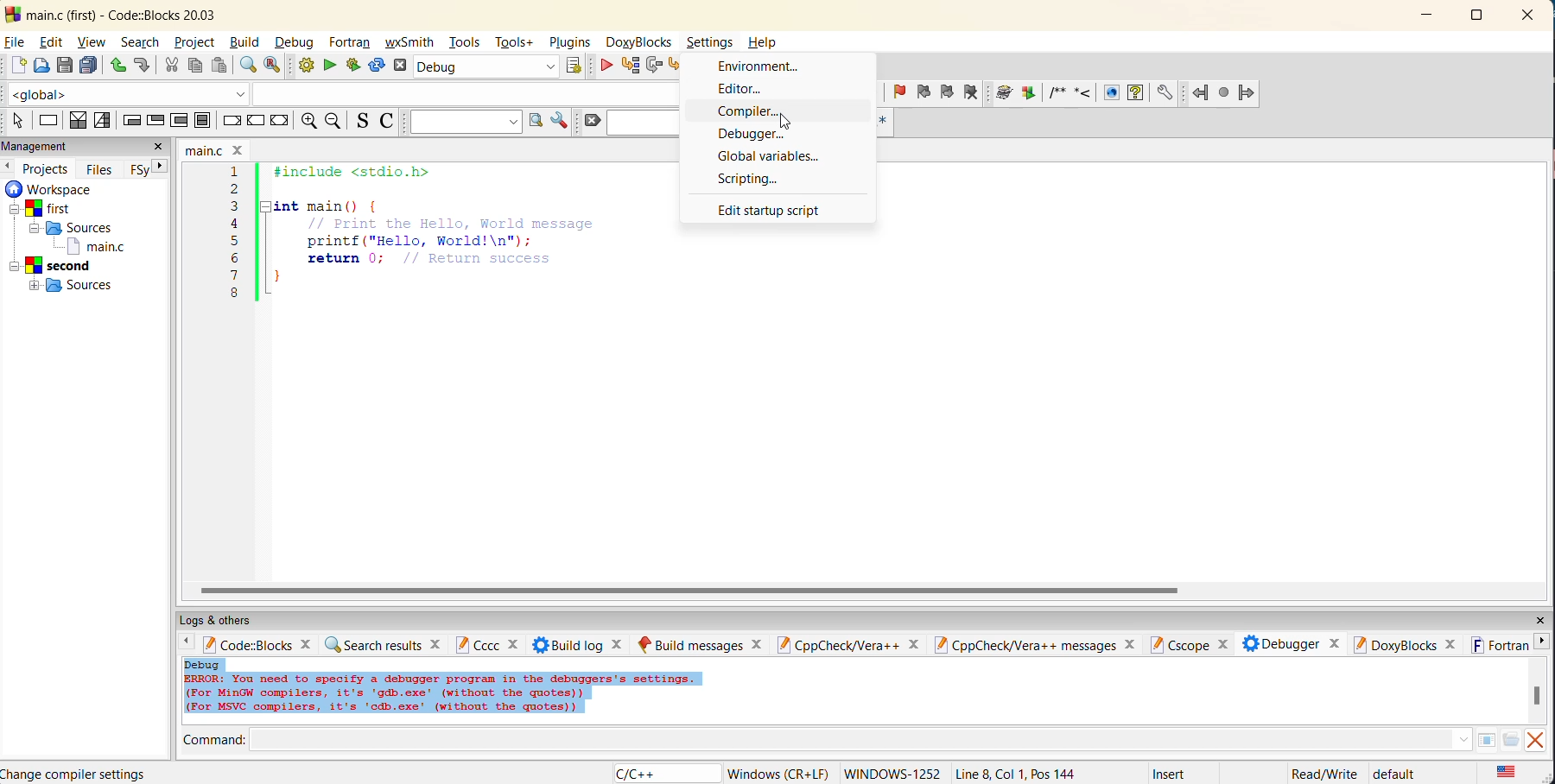 This screenshot has width=1555, height=784. What do you see at coordinates (77, 774) in the screenshot?
I see `Change compiler settings` at bounding box center [77, 774].